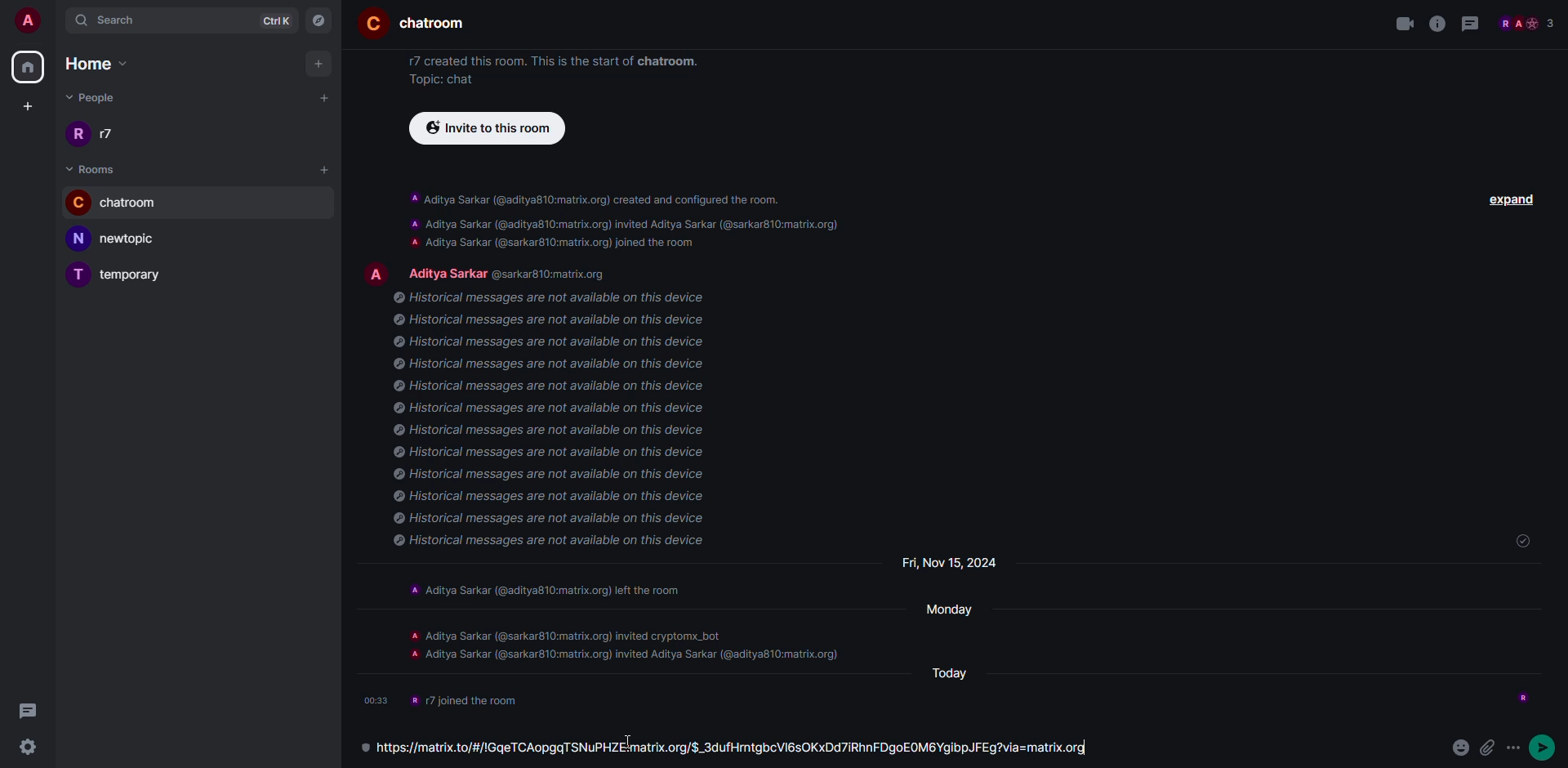 The image size is (1568, 768). What do you see at coordinates (33, 747) in the screenshot?
I see `settings` at bounding box center [33, 747].